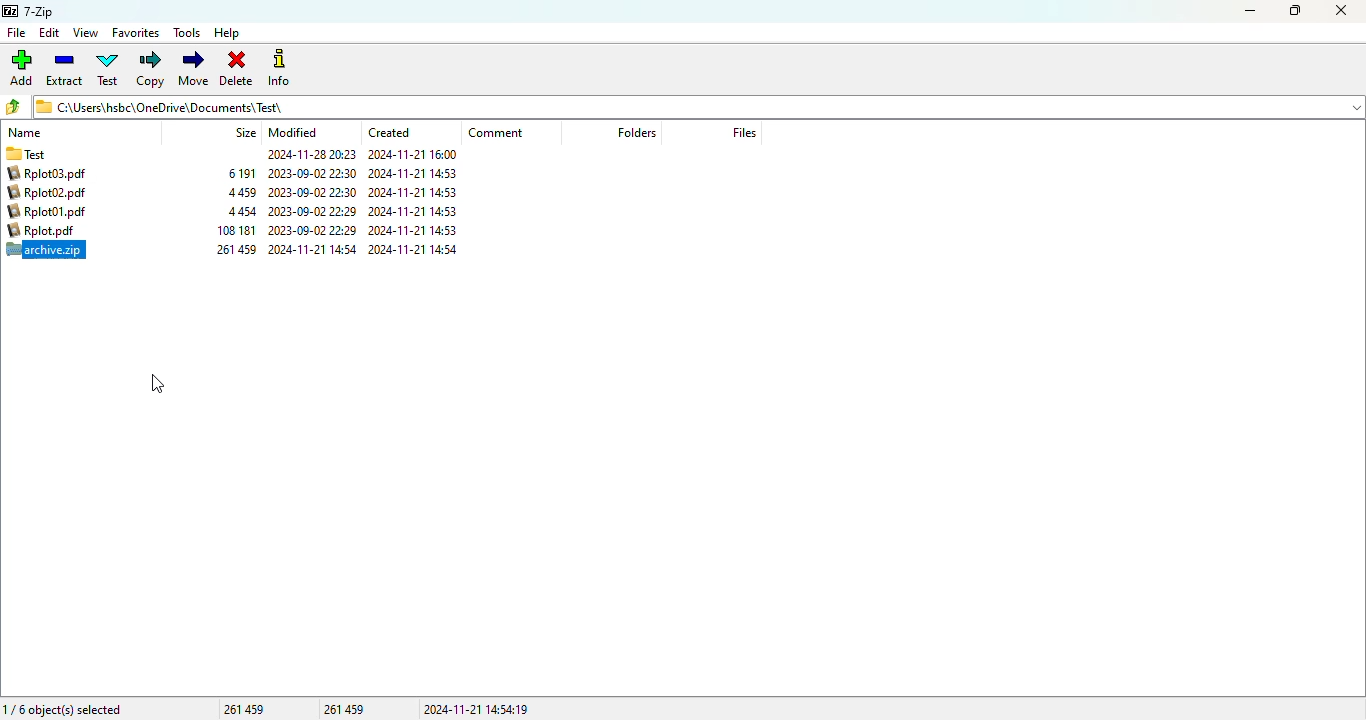  What do you see at coordinates (14, 107) in the screenshot?
I see `browse folders` at bounding box center [14, 107].